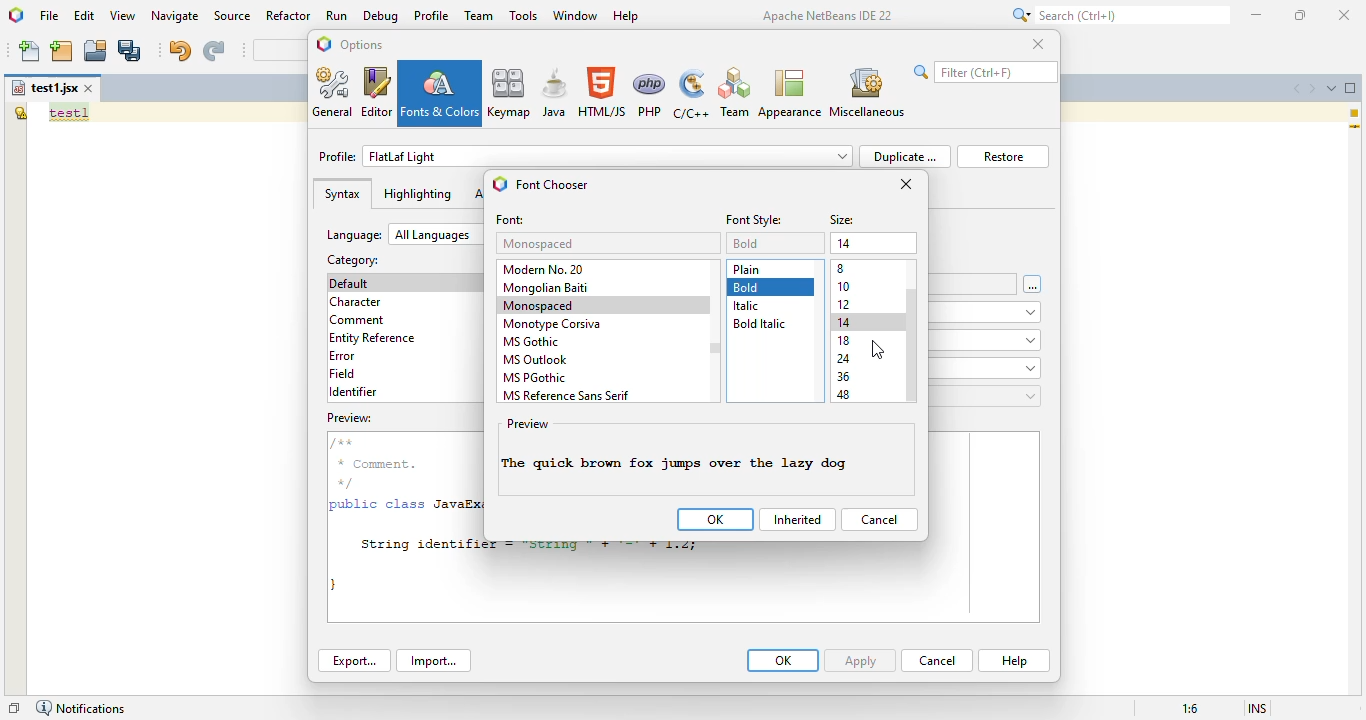 Image resolution: width=1366 pixels, height=720 pixels. Describe the element at coordinates (797, 519) in the screenshot. I see `inherited` at that location.